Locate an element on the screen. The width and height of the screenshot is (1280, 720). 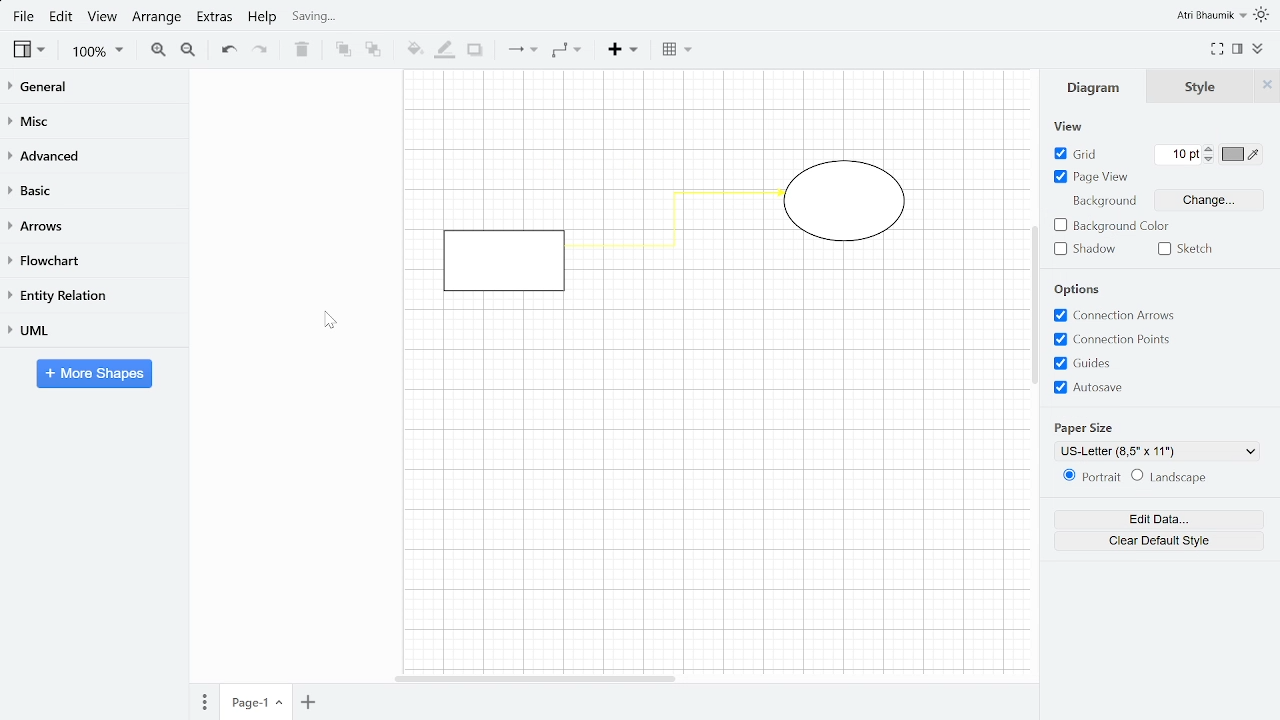
background is located at coordinates (1102, 202).